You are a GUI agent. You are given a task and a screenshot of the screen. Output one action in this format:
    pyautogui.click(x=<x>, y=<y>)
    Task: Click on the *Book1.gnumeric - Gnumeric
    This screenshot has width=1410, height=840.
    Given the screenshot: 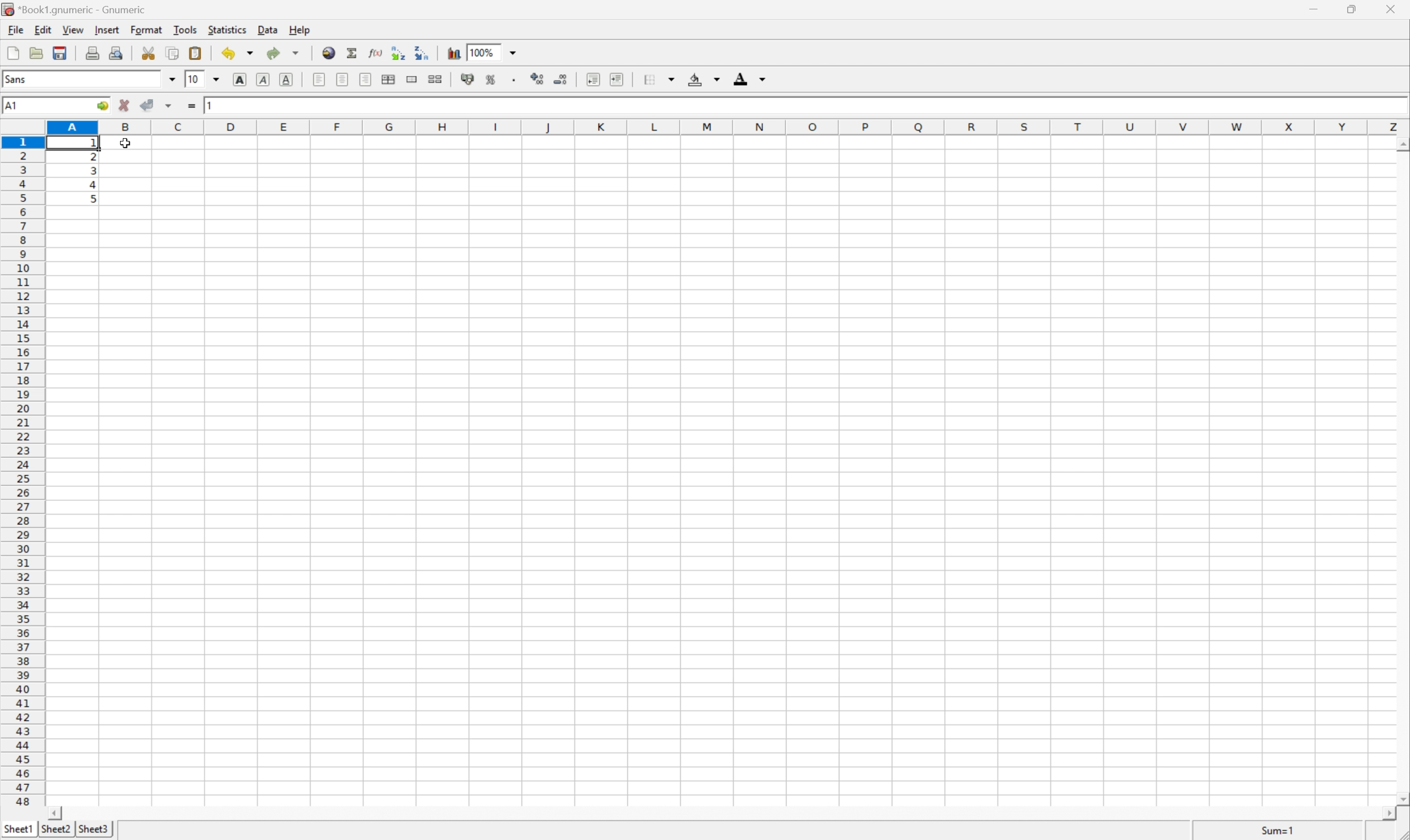 What is the action you would take?
    pyautogui.click(x=78, y=10)
    